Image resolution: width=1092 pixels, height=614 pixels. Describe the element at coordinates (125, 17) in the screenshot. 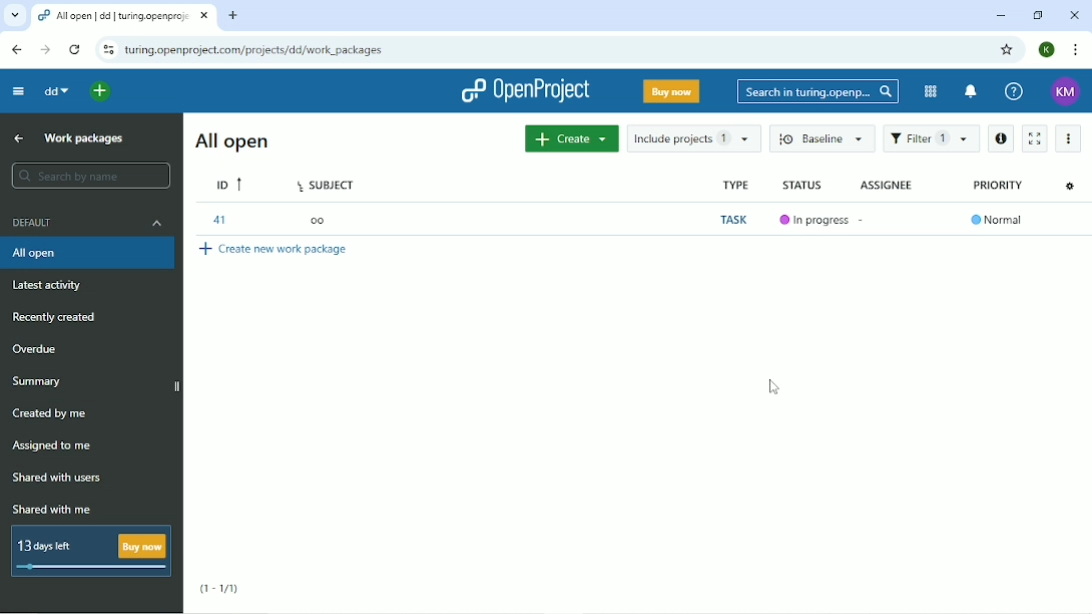

I see `All | dd | turing.openproject.com ` at that location.